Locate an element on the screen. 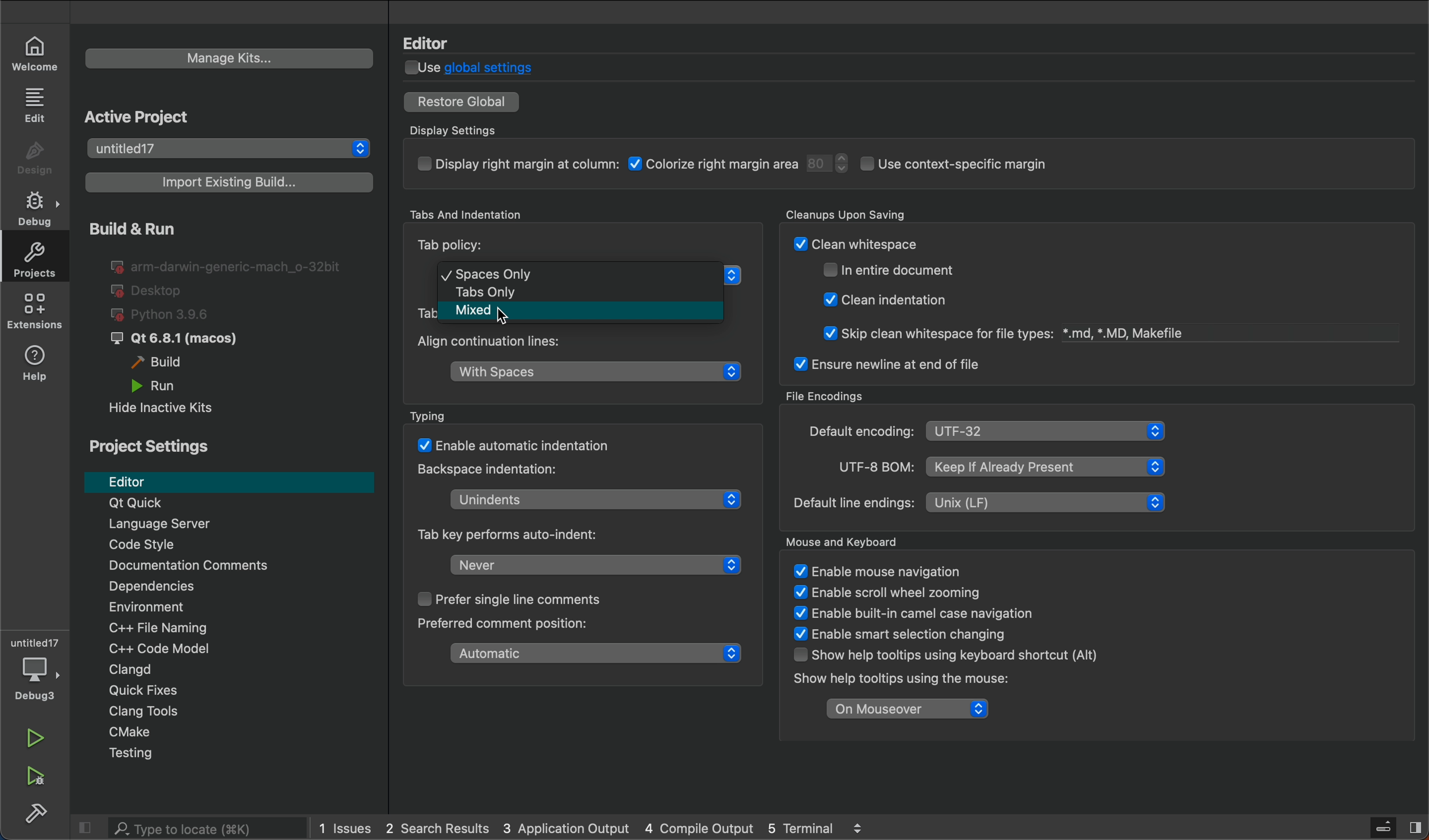 This screenshot has height=840, width=1429. manage kits is located at coordinates (231, 58).